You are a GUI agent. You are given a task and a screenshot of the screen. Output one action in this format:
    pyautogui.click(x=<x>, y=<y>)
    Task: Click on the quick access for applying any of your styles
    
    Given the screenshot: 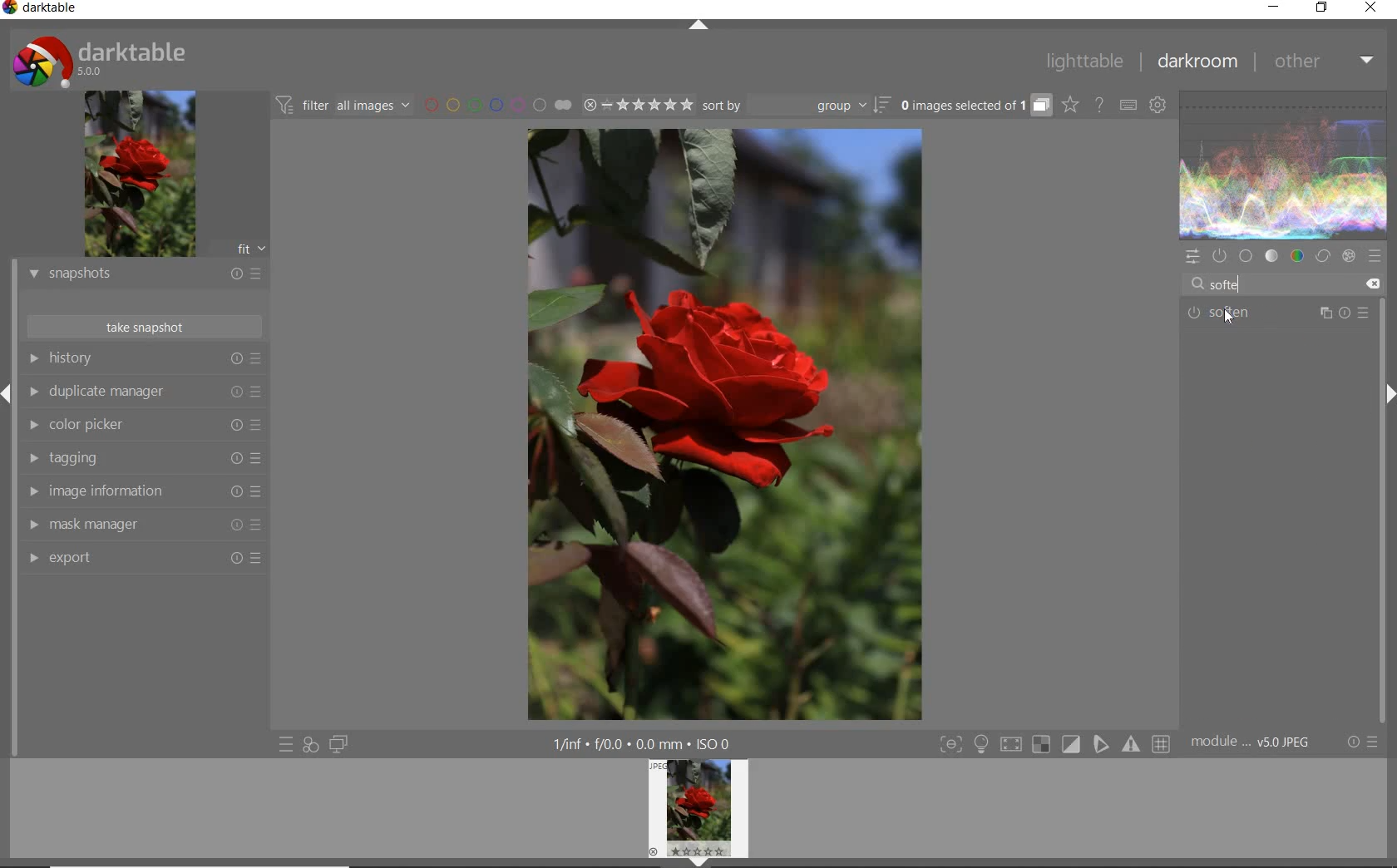 What is the action you would take?
    pyautogui.click(x=310, y=747)
    